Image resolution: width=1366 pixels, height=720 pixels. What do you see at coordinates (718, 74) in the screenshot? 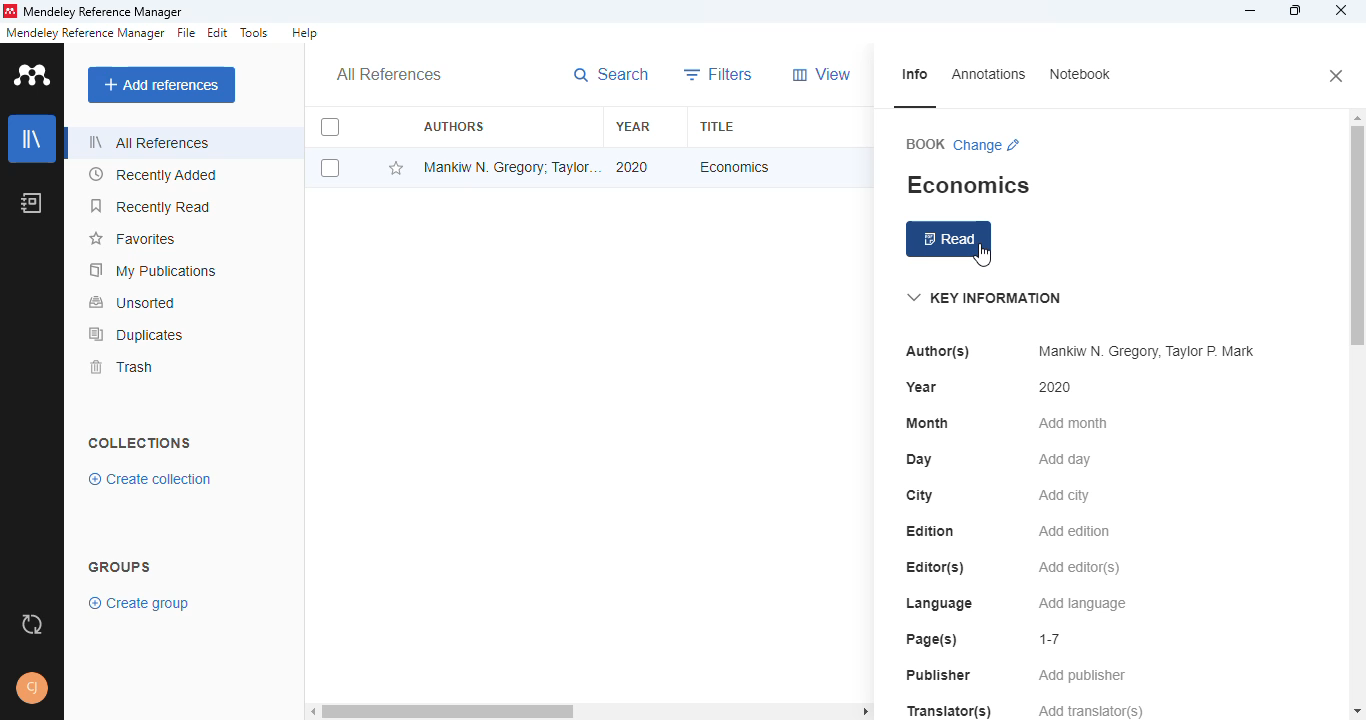
I see `filters` at bounding box center [718, 74].